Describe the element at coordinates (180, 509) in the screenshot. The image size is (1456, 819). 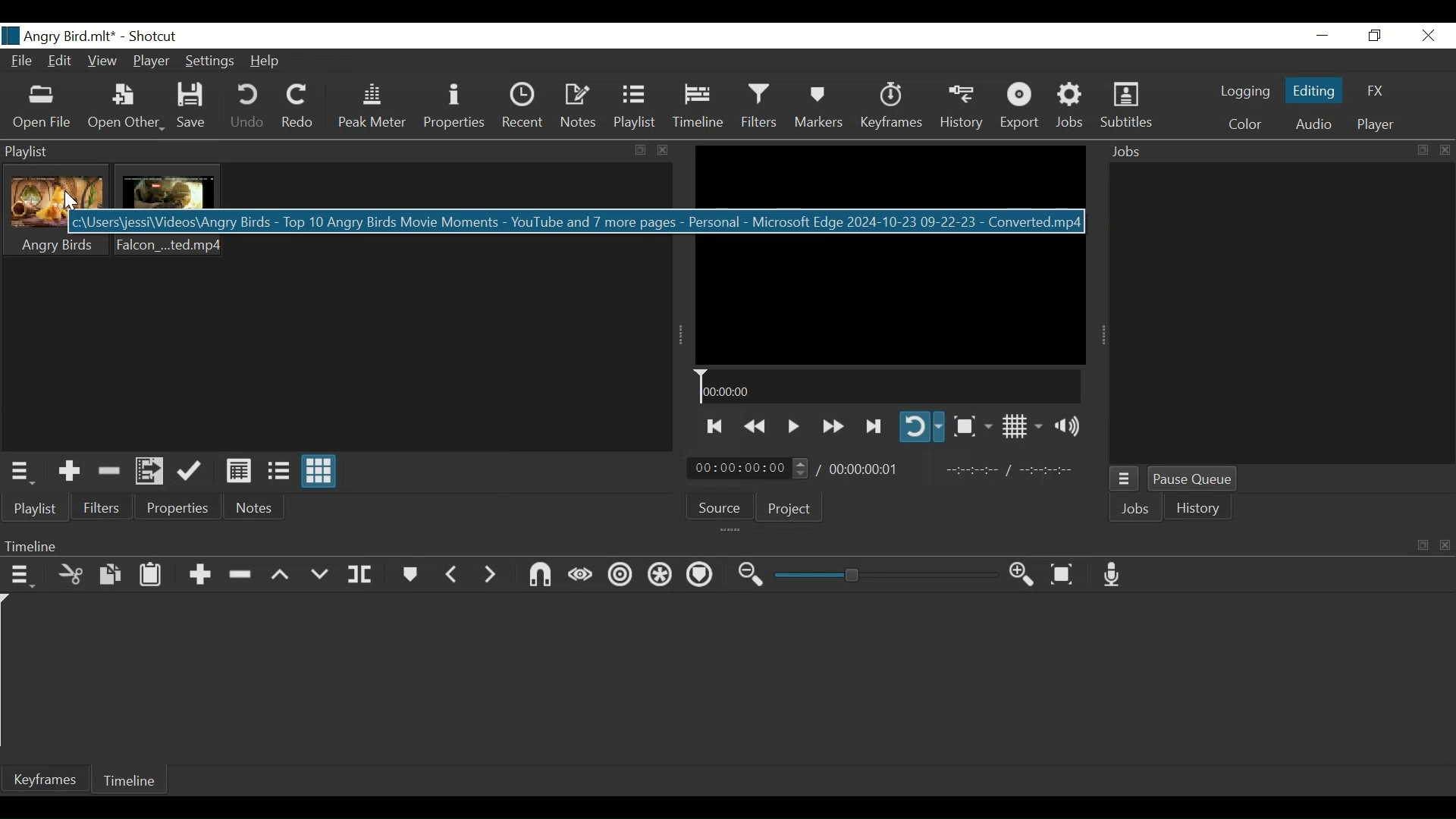
I see `Properties` at that location.